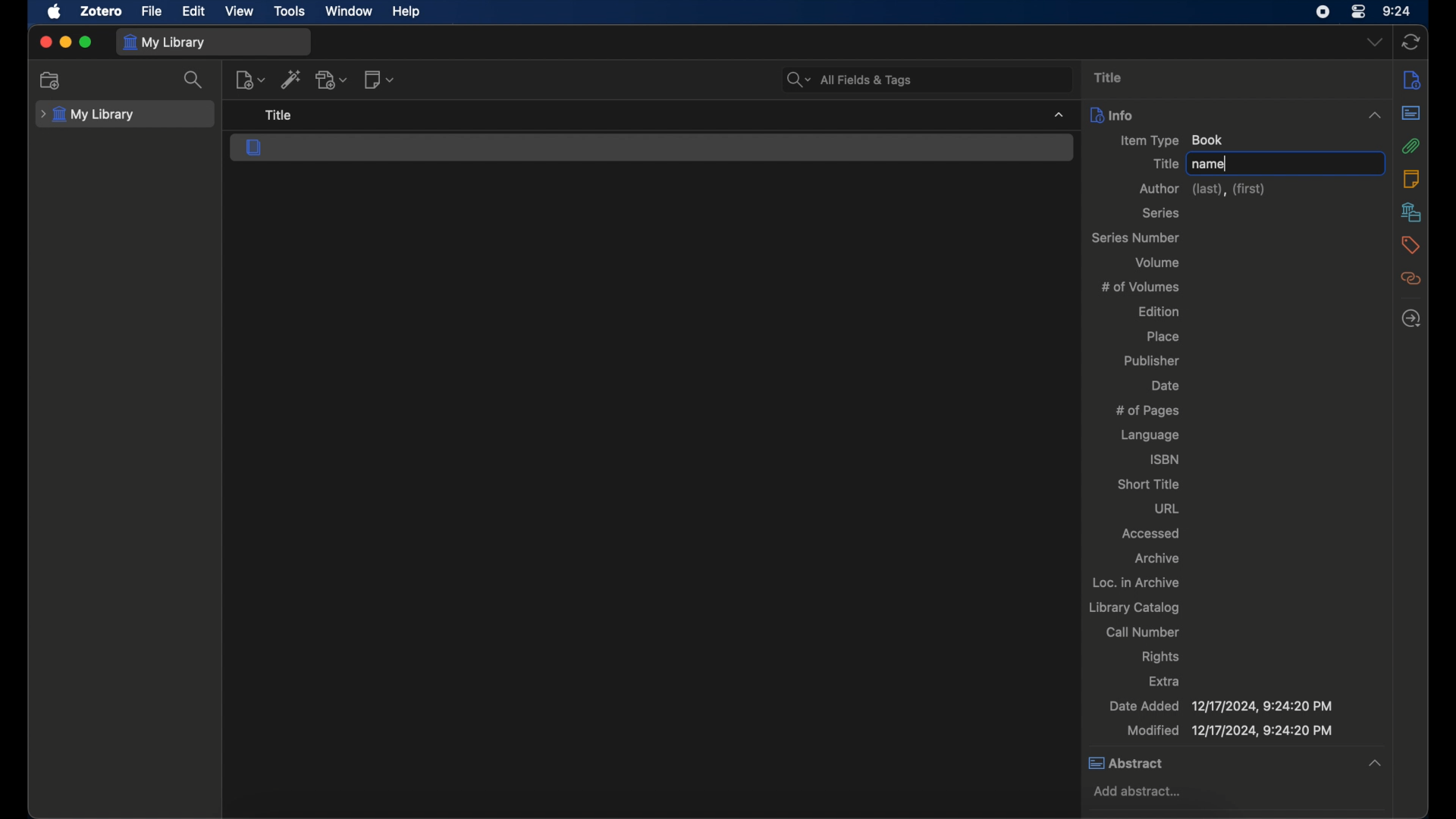 This screenshot has height=819, width=1456. I want to click on language, so click(1150, 435).